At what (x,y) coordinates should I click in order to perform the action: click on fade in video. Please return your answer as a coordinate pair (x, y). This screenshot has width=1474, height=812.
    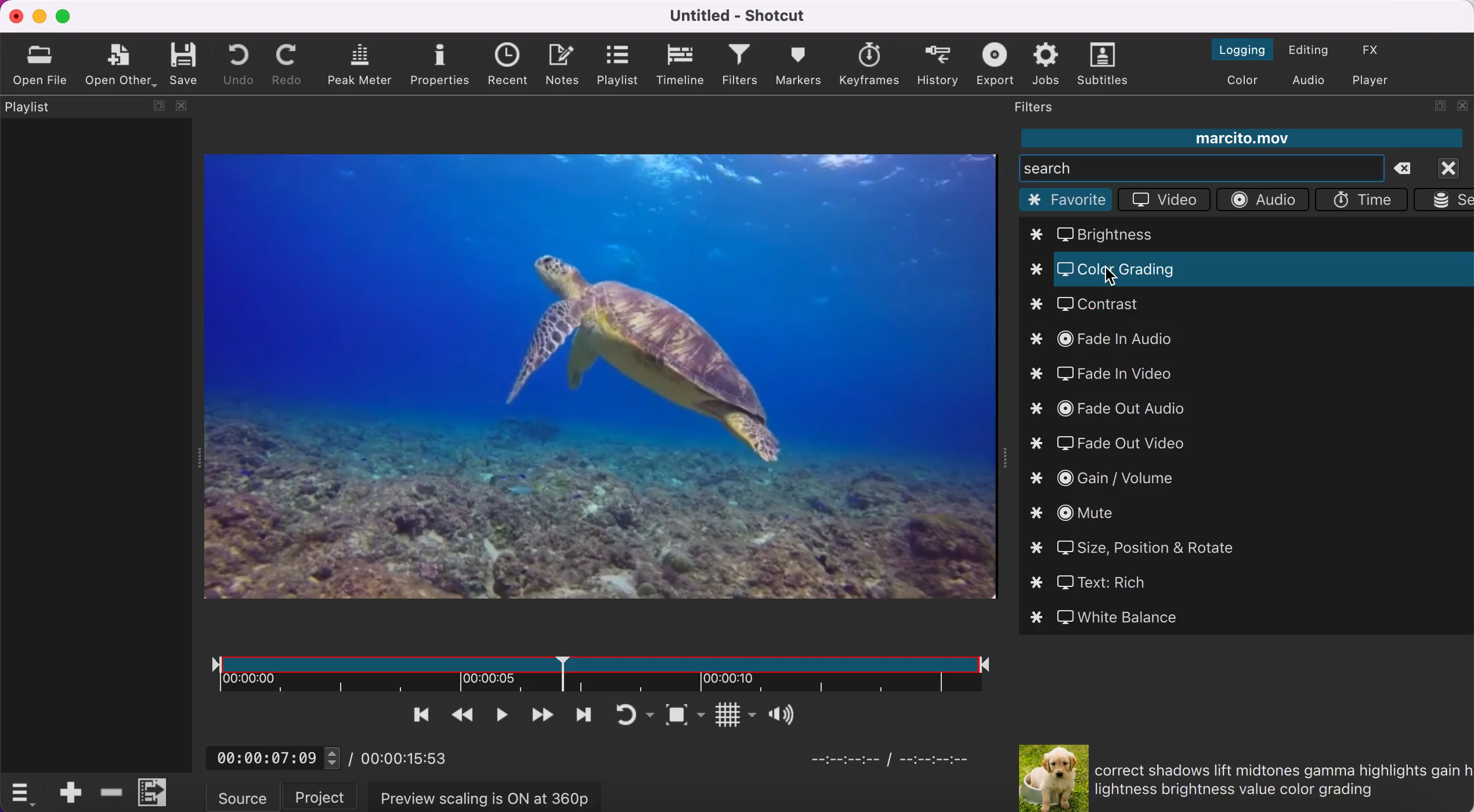
    Looking at the image, I should click on (1115, 375).